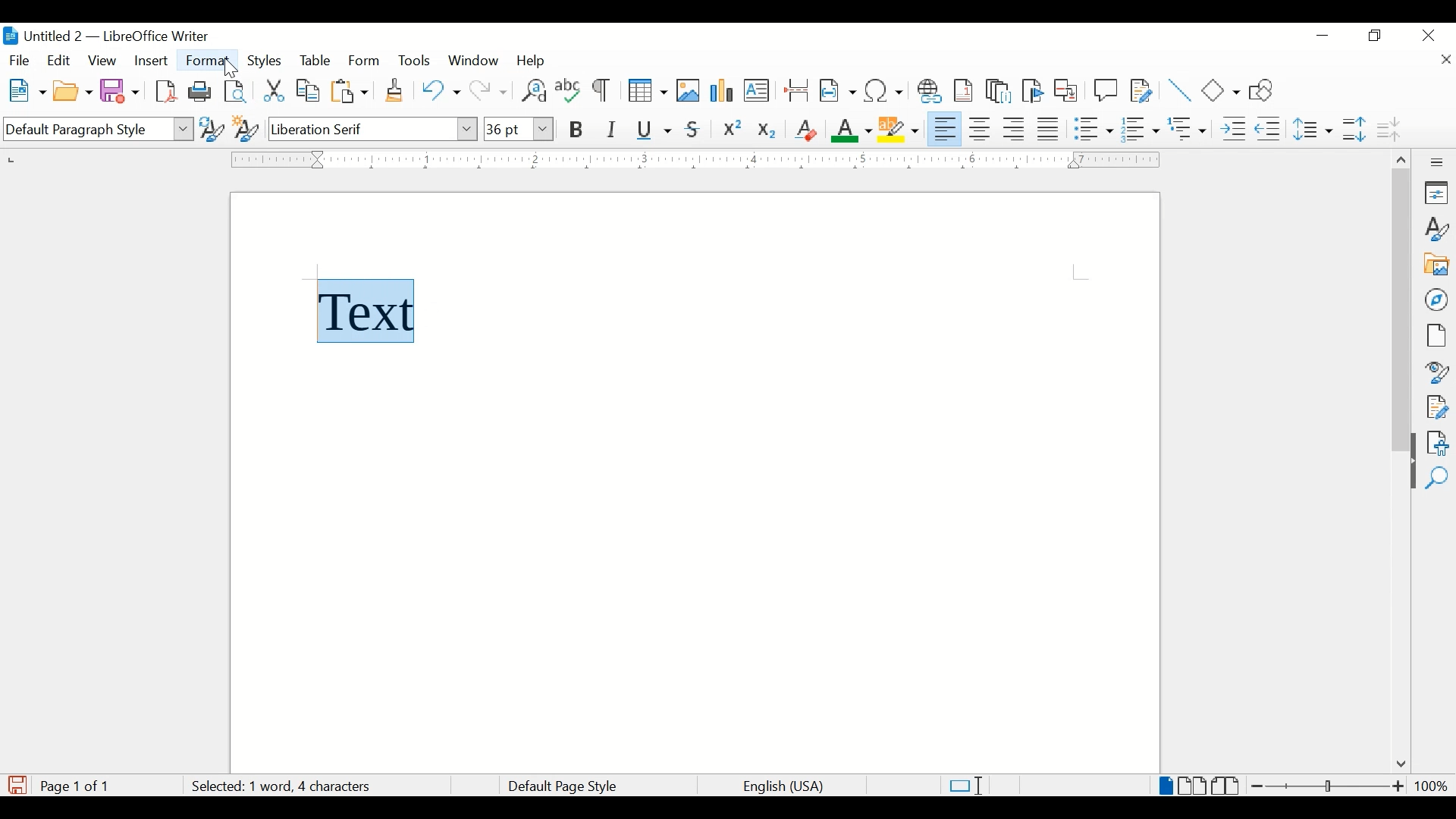 The height and width of the screenshot is (819, 1456). I want to click on help, so click(534, 61).